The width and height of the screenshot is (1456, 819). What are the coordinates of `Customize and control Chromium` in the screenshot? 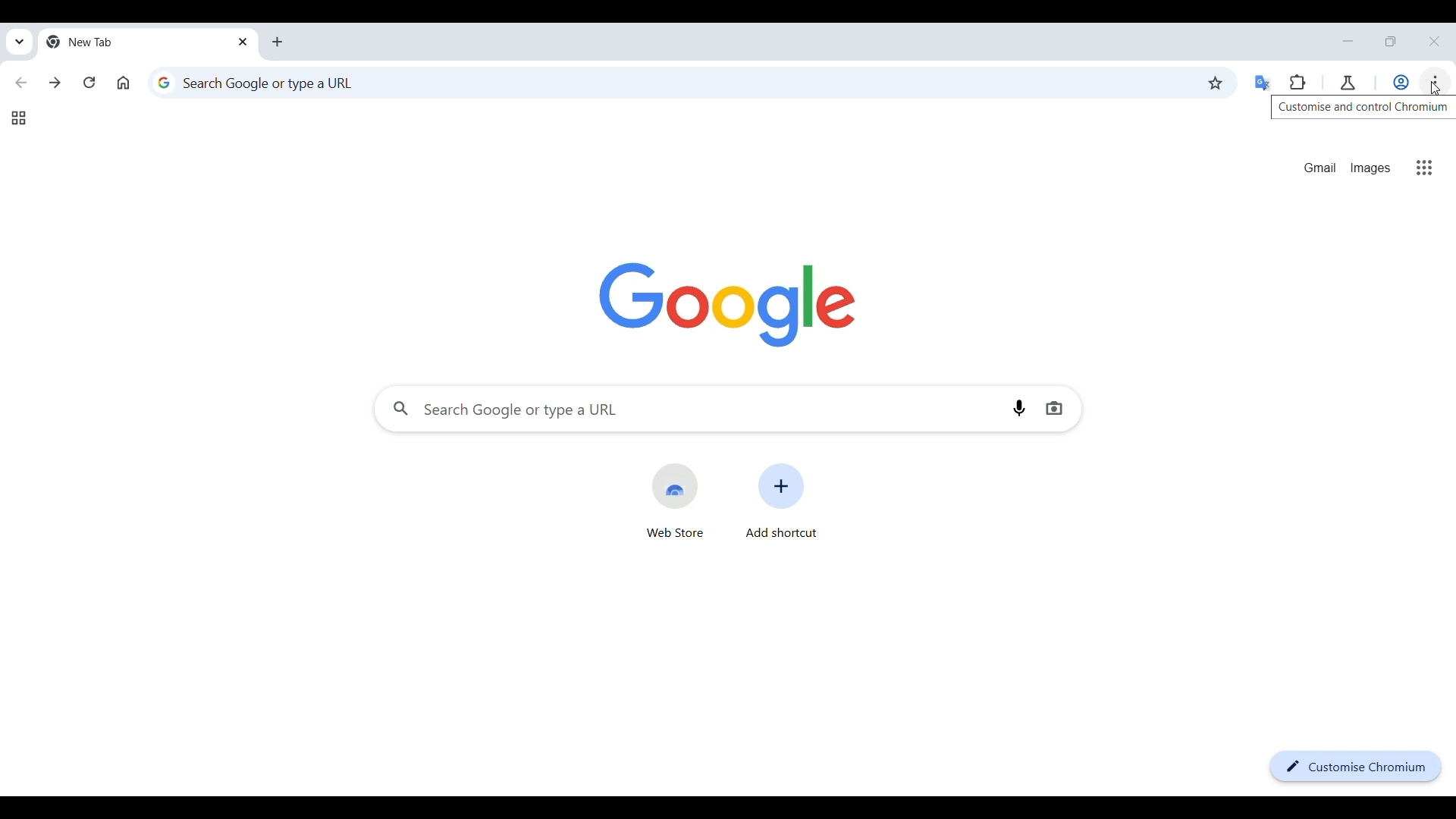 It's located at (1435, 83).